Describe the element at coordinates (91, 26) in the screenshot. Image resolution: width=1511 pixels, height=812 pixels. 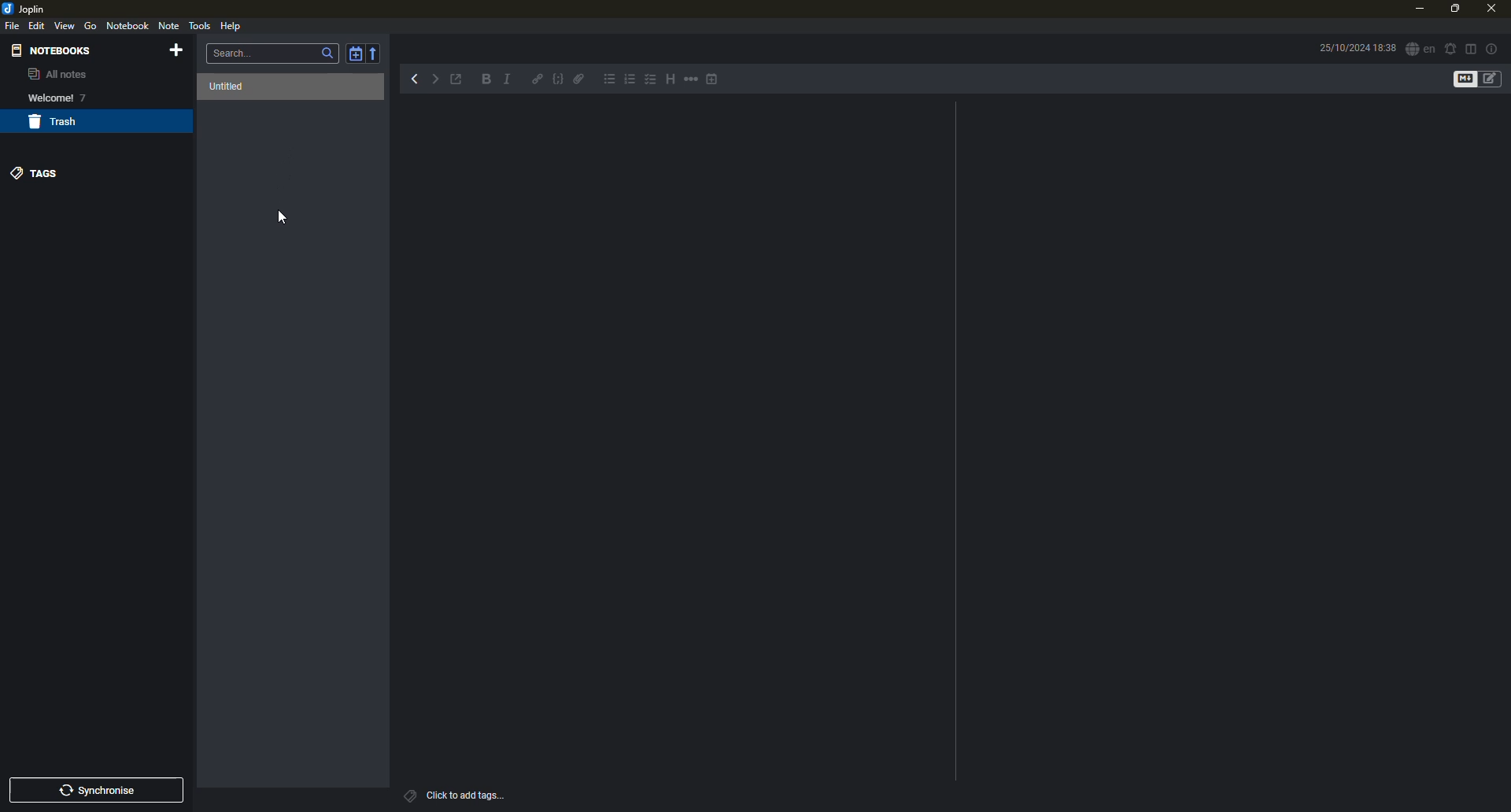
I see `go` at that location.